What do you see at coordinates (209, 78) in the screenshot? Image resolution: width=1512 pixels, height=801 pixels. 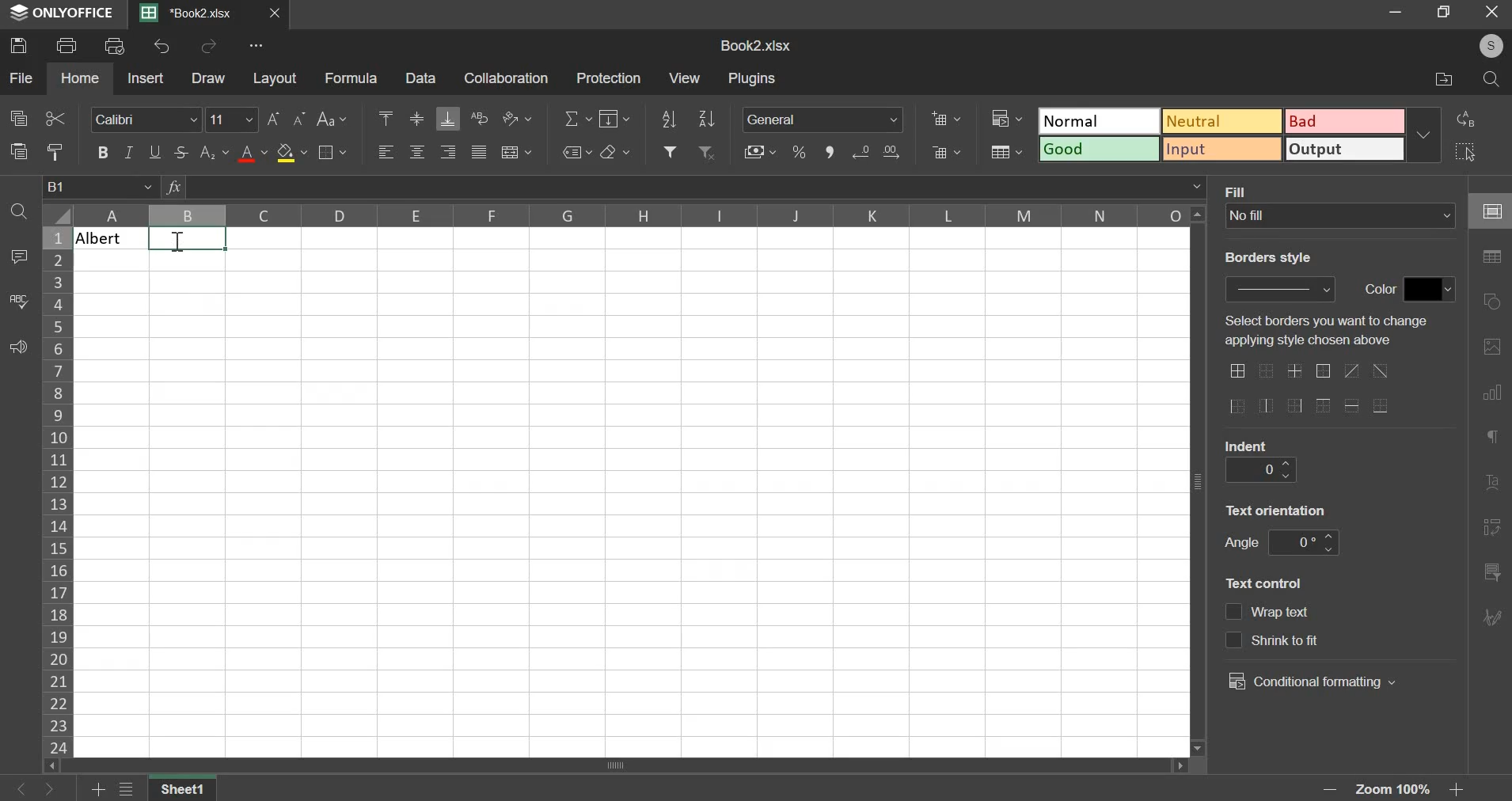 I see `draw` at bounding box center [209, 78].